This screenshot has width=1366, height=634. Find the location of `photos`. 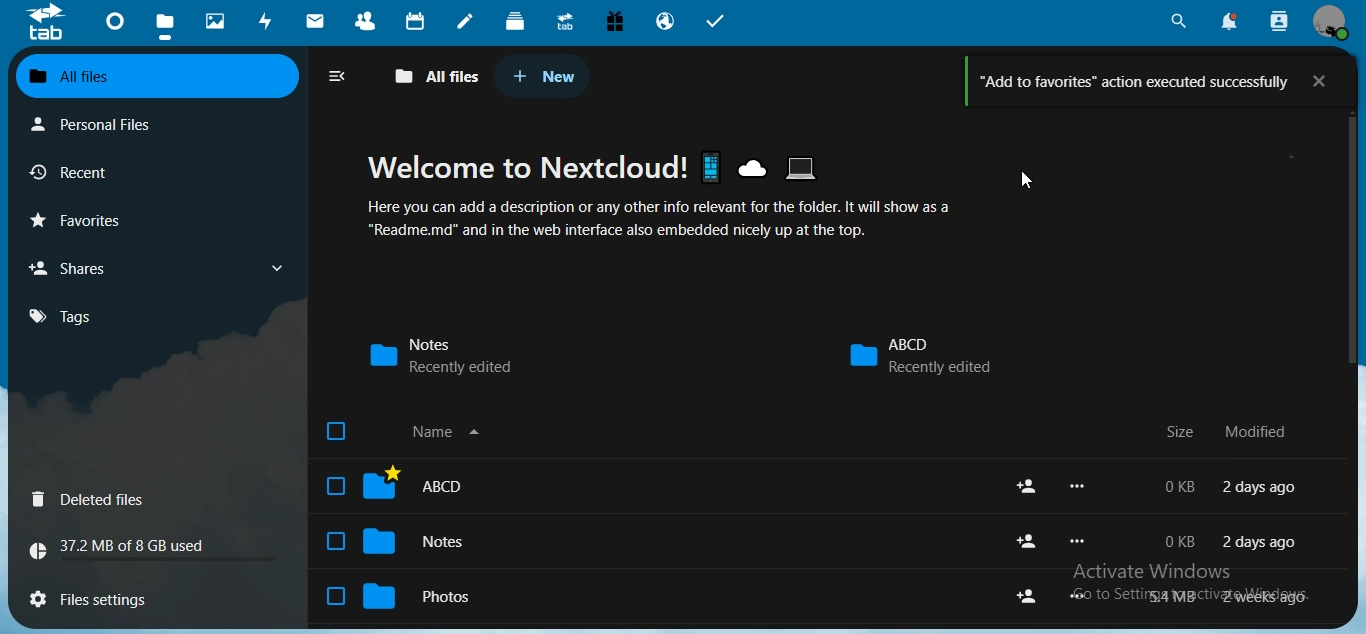

photos is located at coordinates (219, 20).